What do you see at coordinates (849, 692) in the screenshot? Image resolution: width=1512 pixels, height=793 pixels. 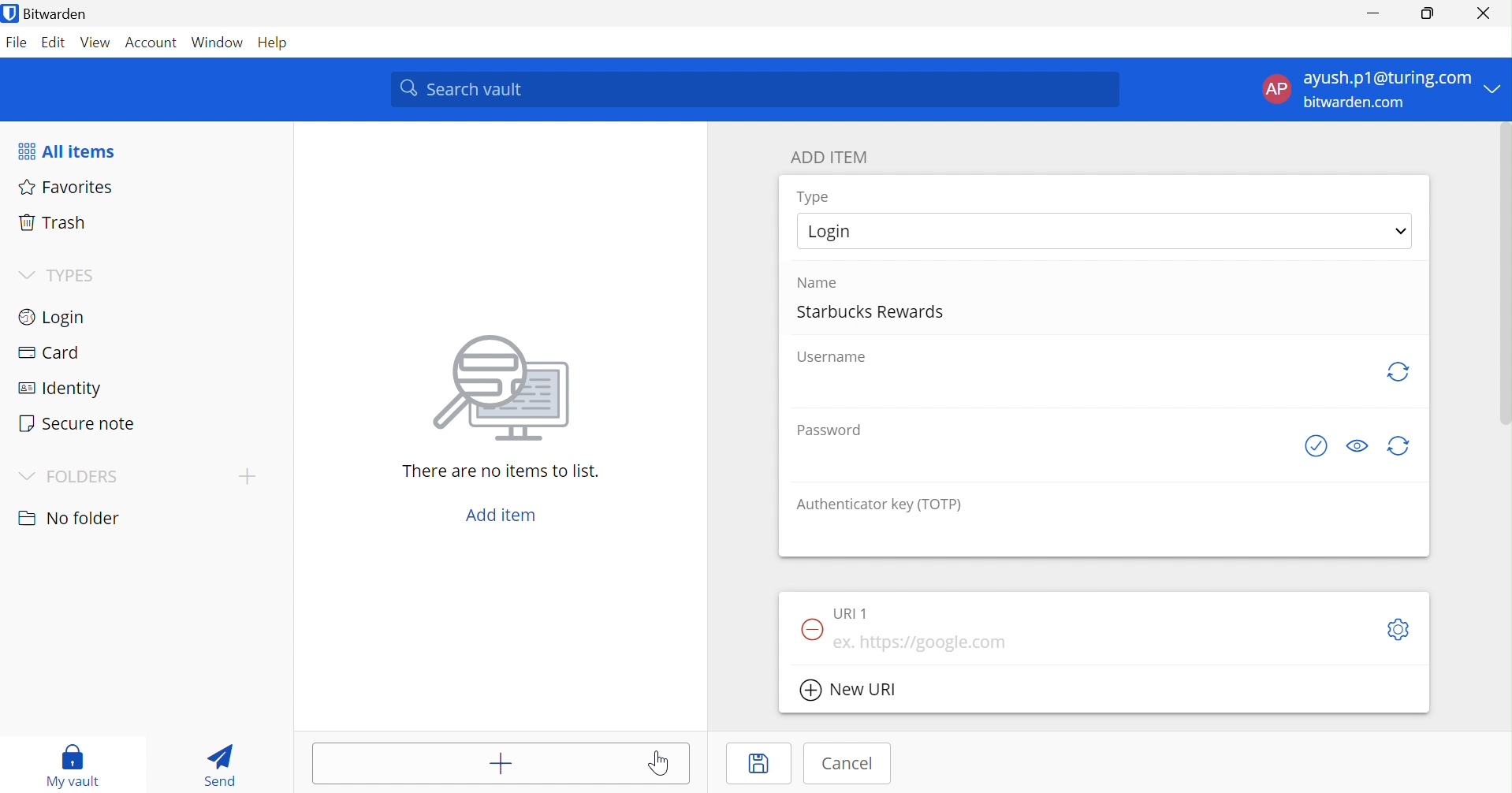 I see `New URI` at bounding box center [849, 692].